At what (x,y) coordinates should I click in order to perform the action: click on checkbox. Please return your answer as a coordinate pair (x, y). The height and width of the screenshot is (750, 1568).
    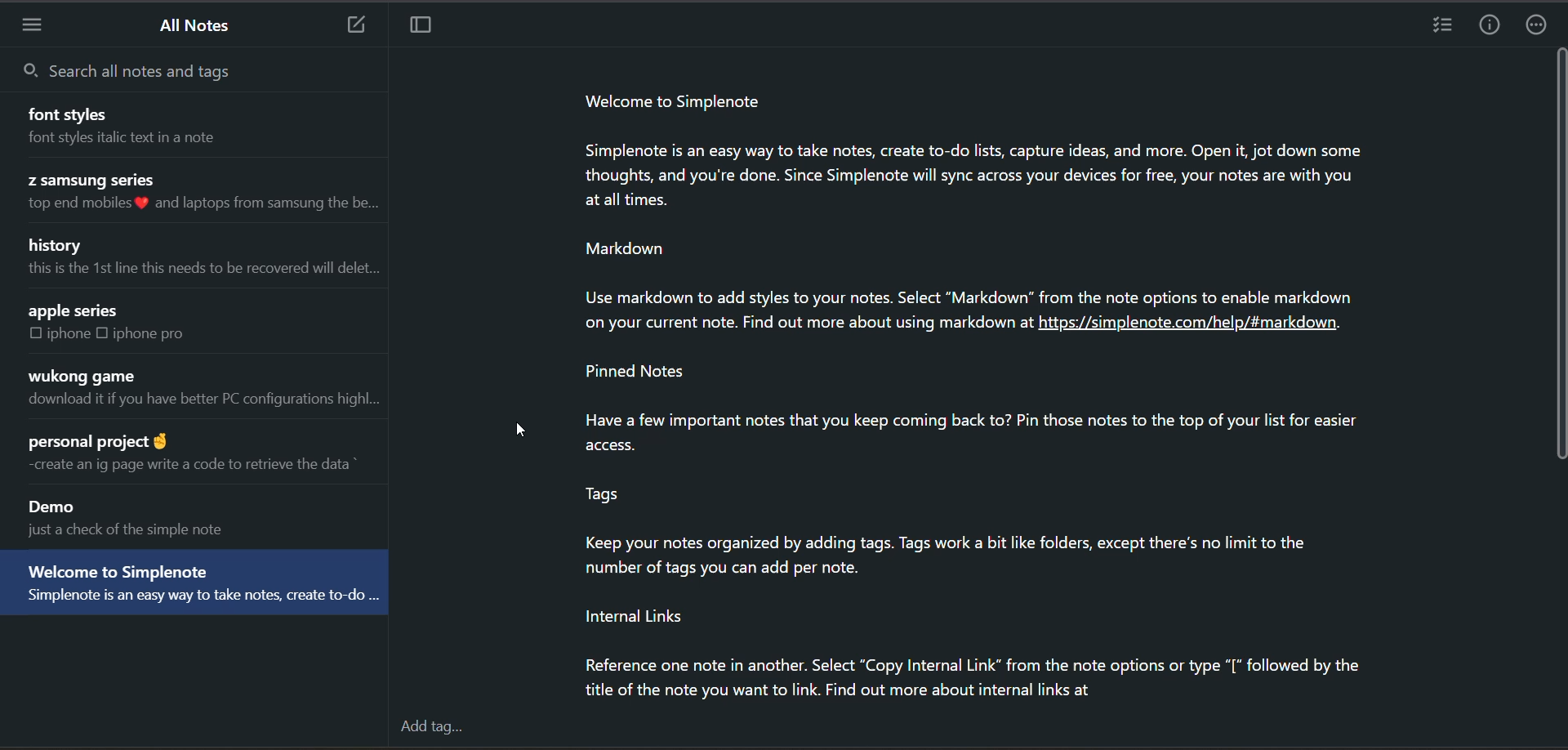
    Looking at the image, I should click on (29, 333).